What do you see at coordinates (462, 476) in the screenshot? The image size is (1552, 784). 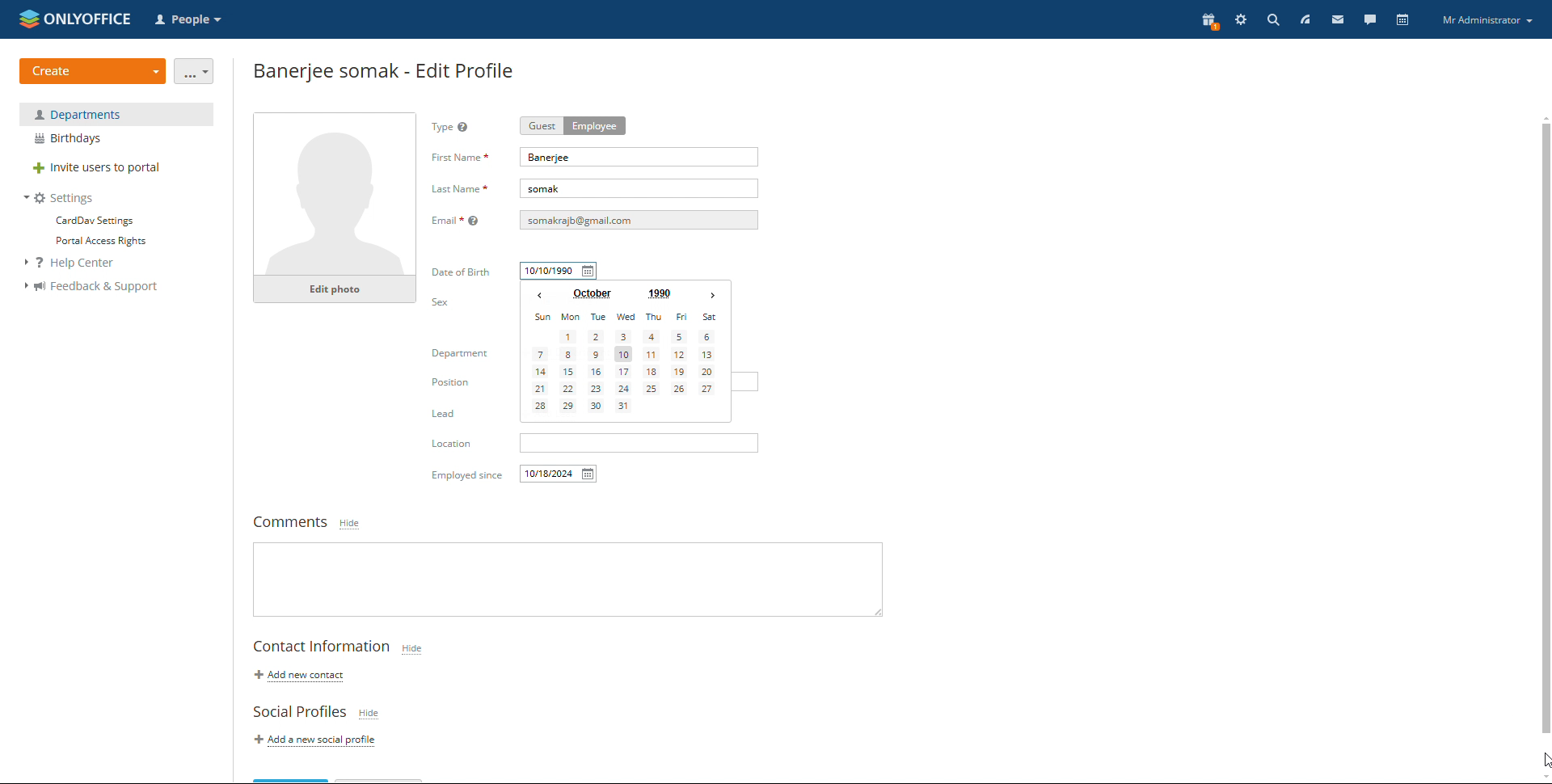 I see `` at bounding box center [462, 476].